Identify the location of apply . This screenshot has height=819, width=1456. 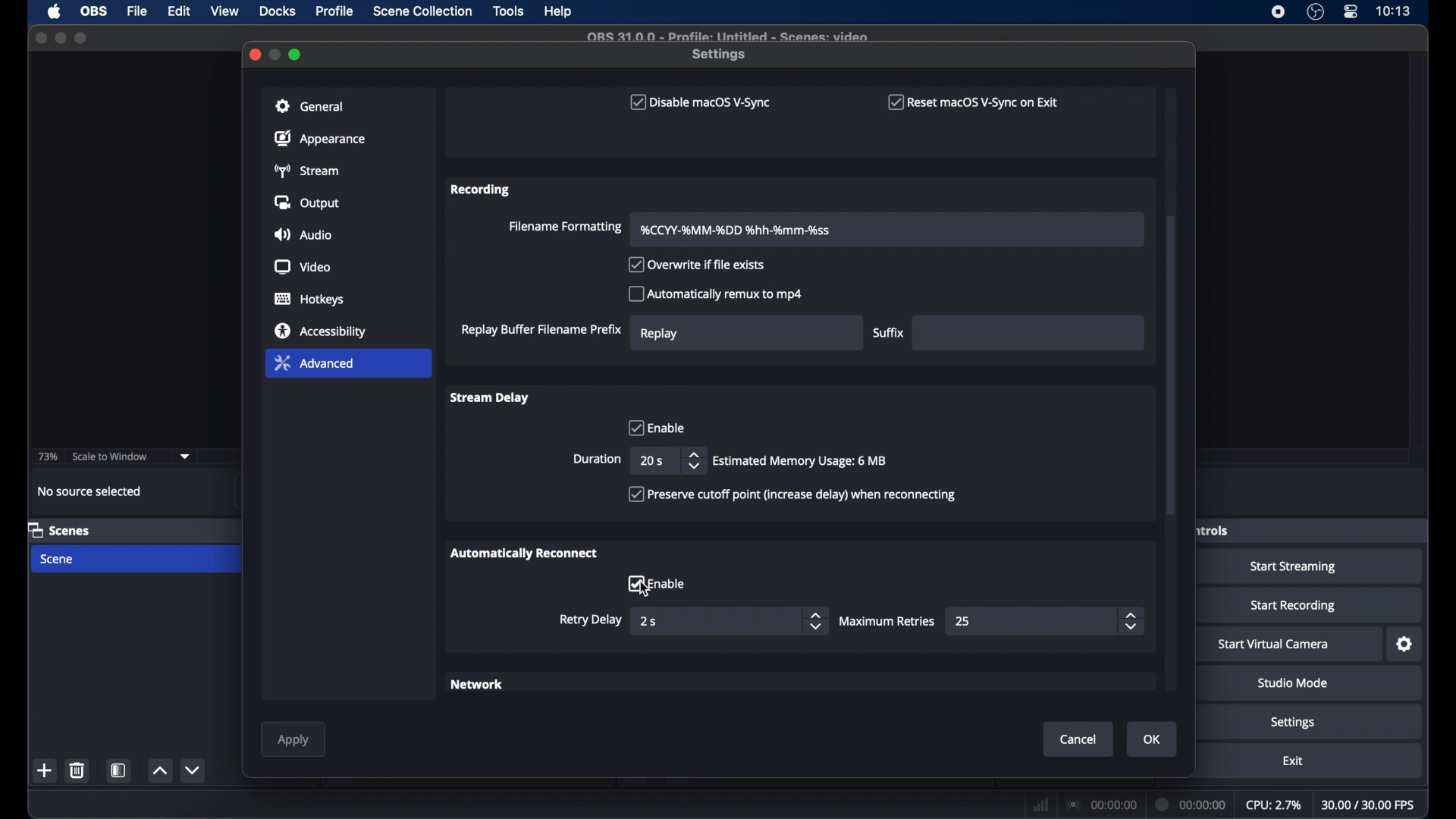
(293, 740).